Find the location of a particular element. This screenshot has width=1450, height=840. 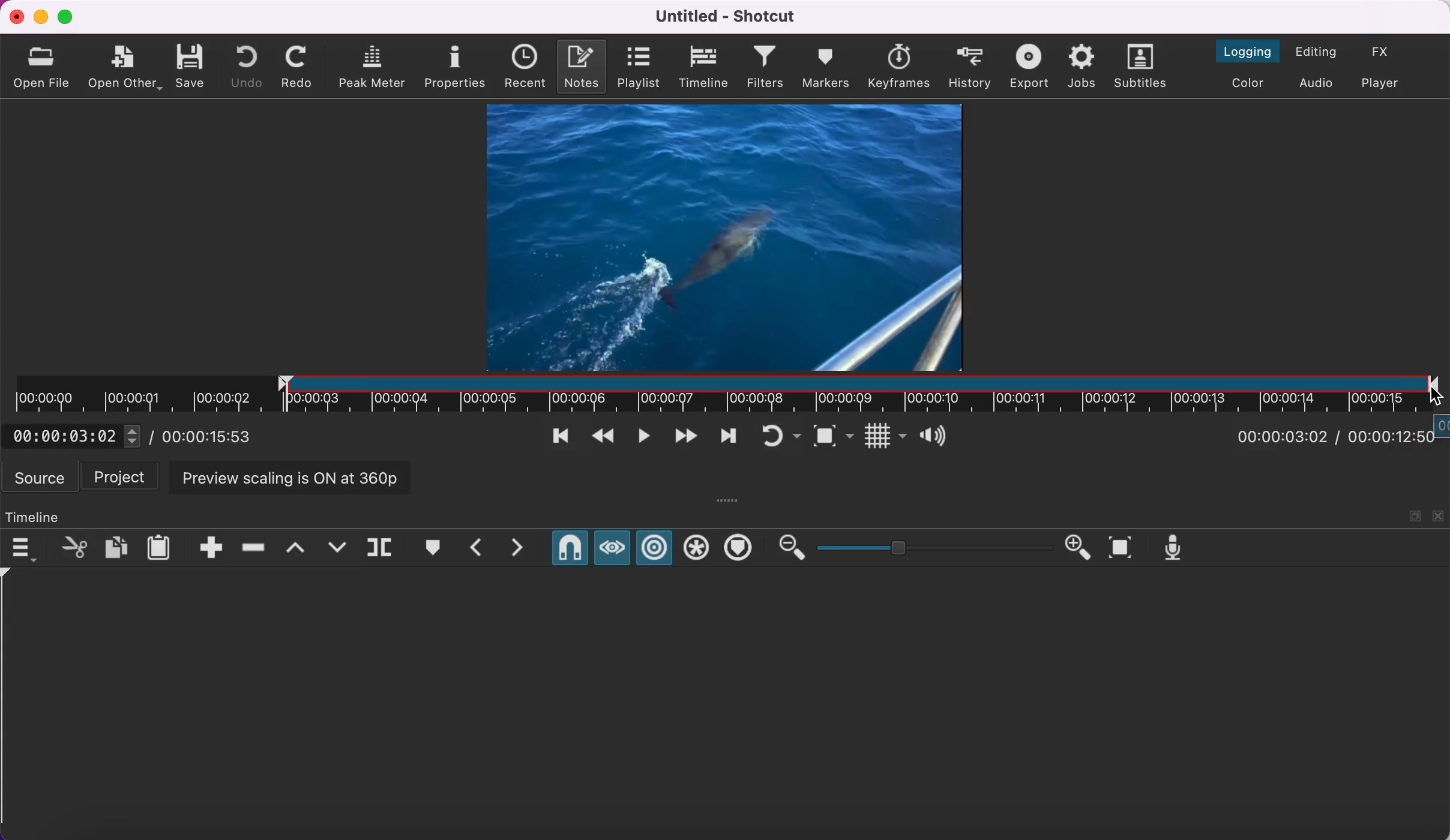

split at playhead is located at coordinates (380, 547).